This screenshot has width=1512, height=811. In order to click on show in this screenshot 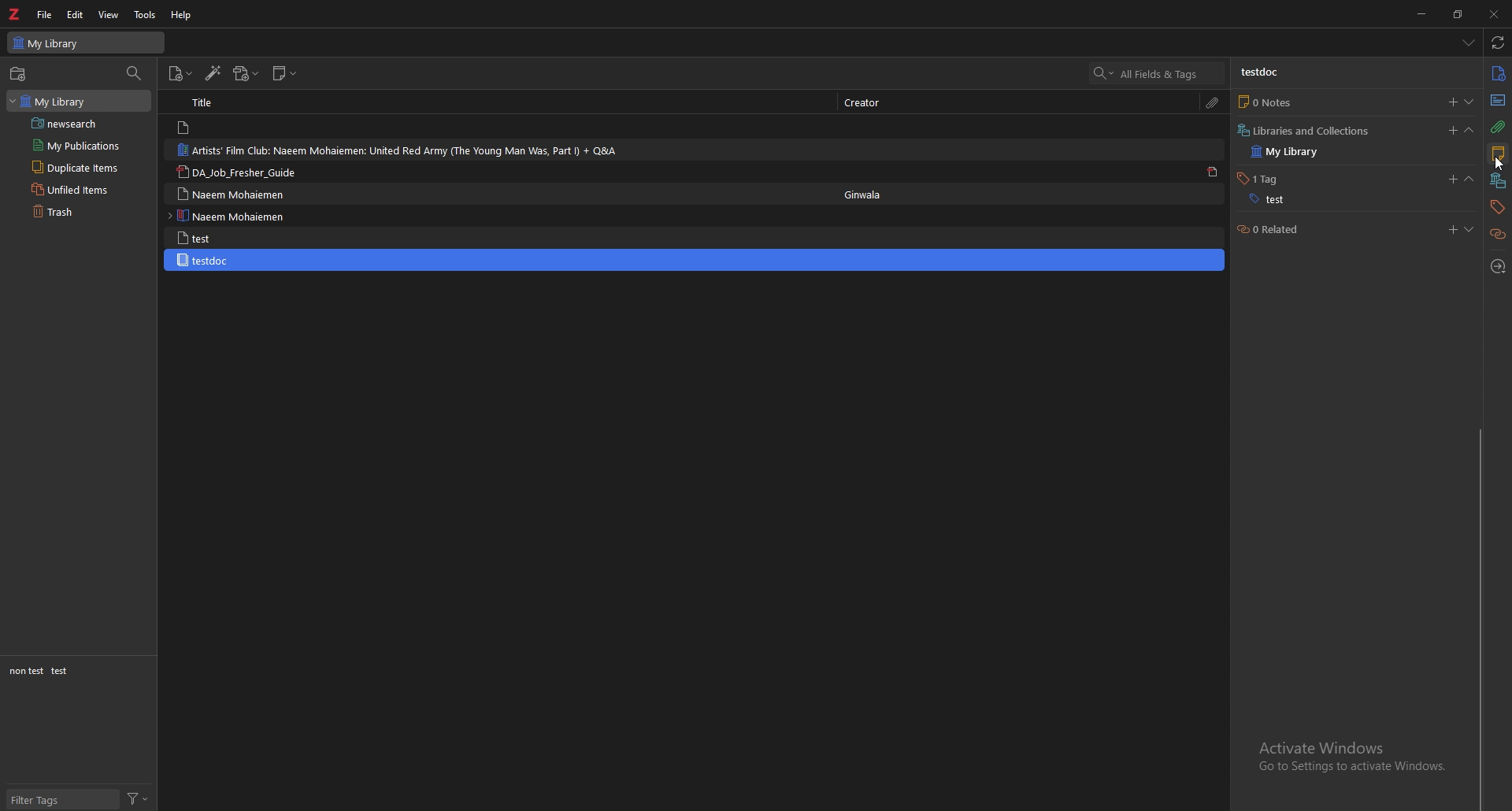, I will do `click(1469, 230)`.